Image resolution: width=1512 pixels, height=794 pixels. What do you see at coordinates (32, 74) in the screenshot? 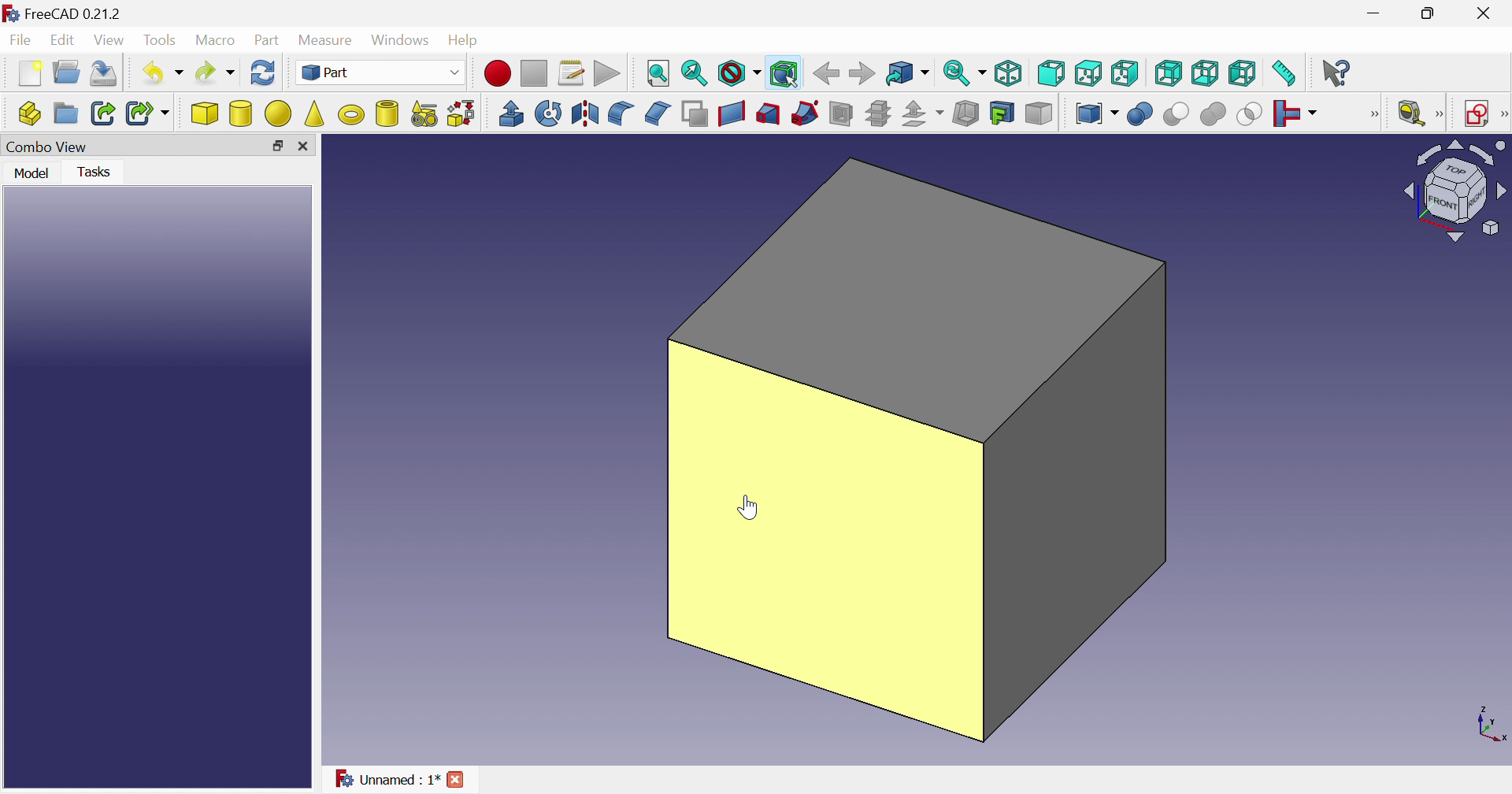
I see `New` at bounding box center [32, 74].